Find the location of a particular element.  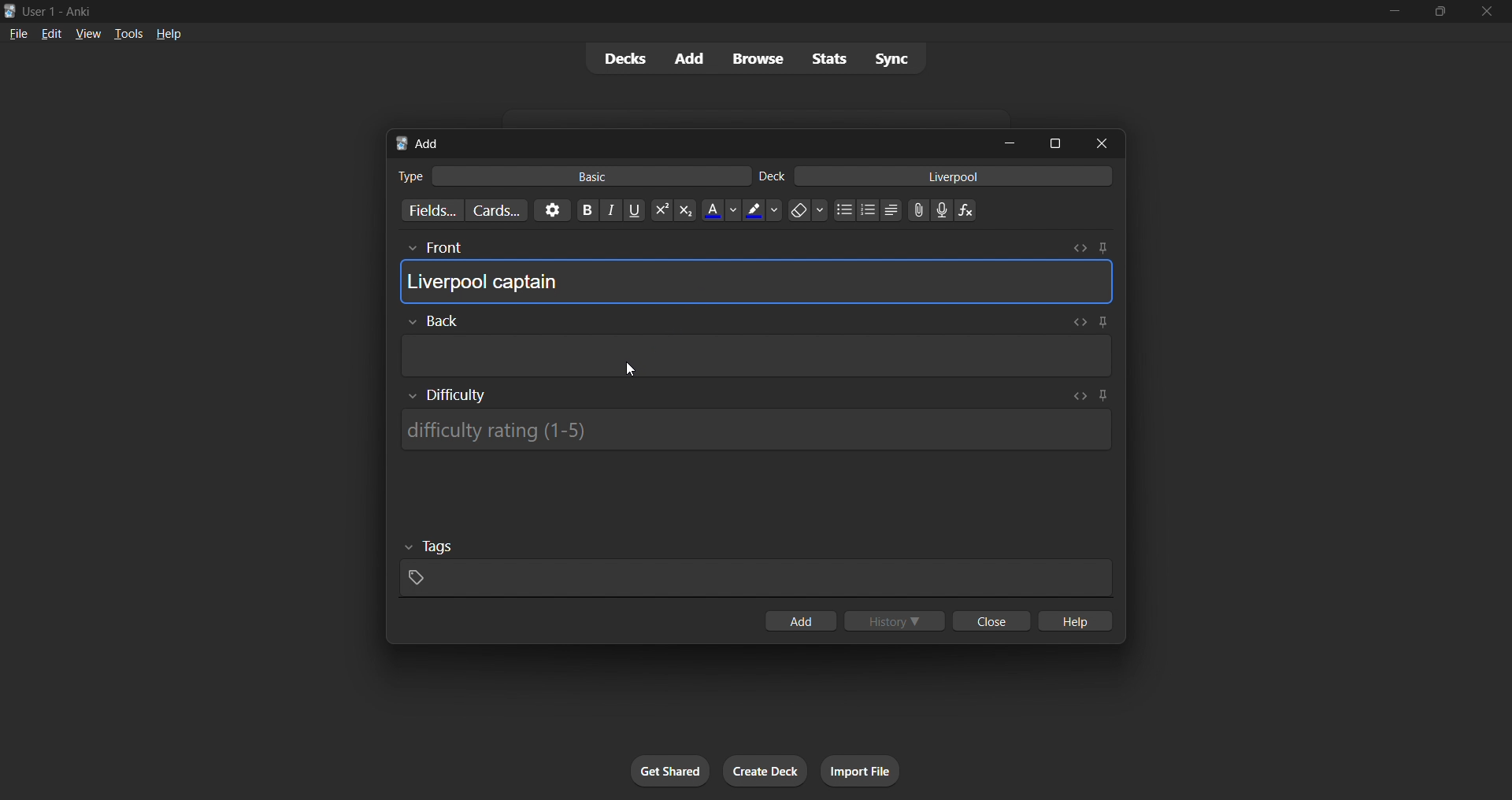

add is located at coordinates (800, 620).